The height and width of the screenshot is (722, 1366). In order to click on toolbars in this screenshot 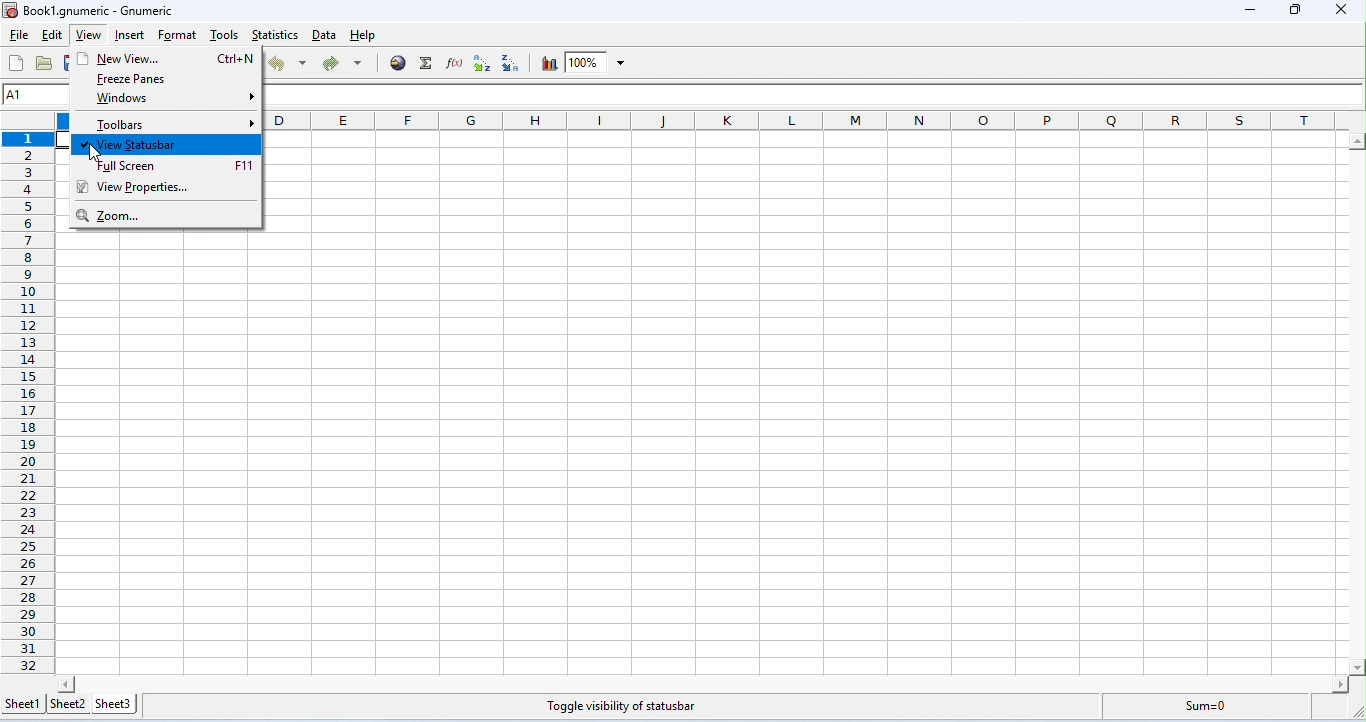, I will do `click(172, 123)`.